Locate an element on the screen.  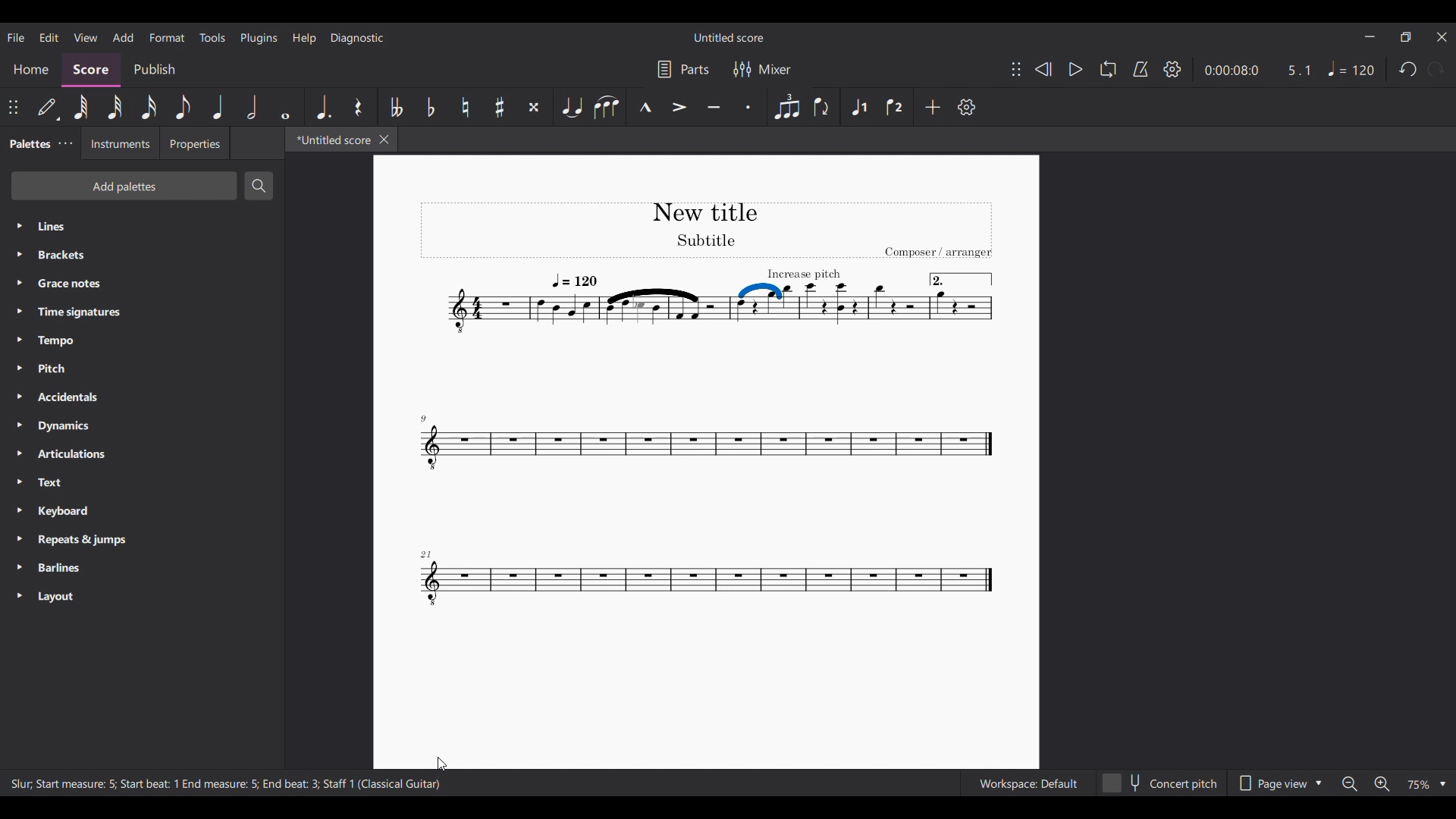
*Untitled score, current tab is located at coordinates (330, 140).